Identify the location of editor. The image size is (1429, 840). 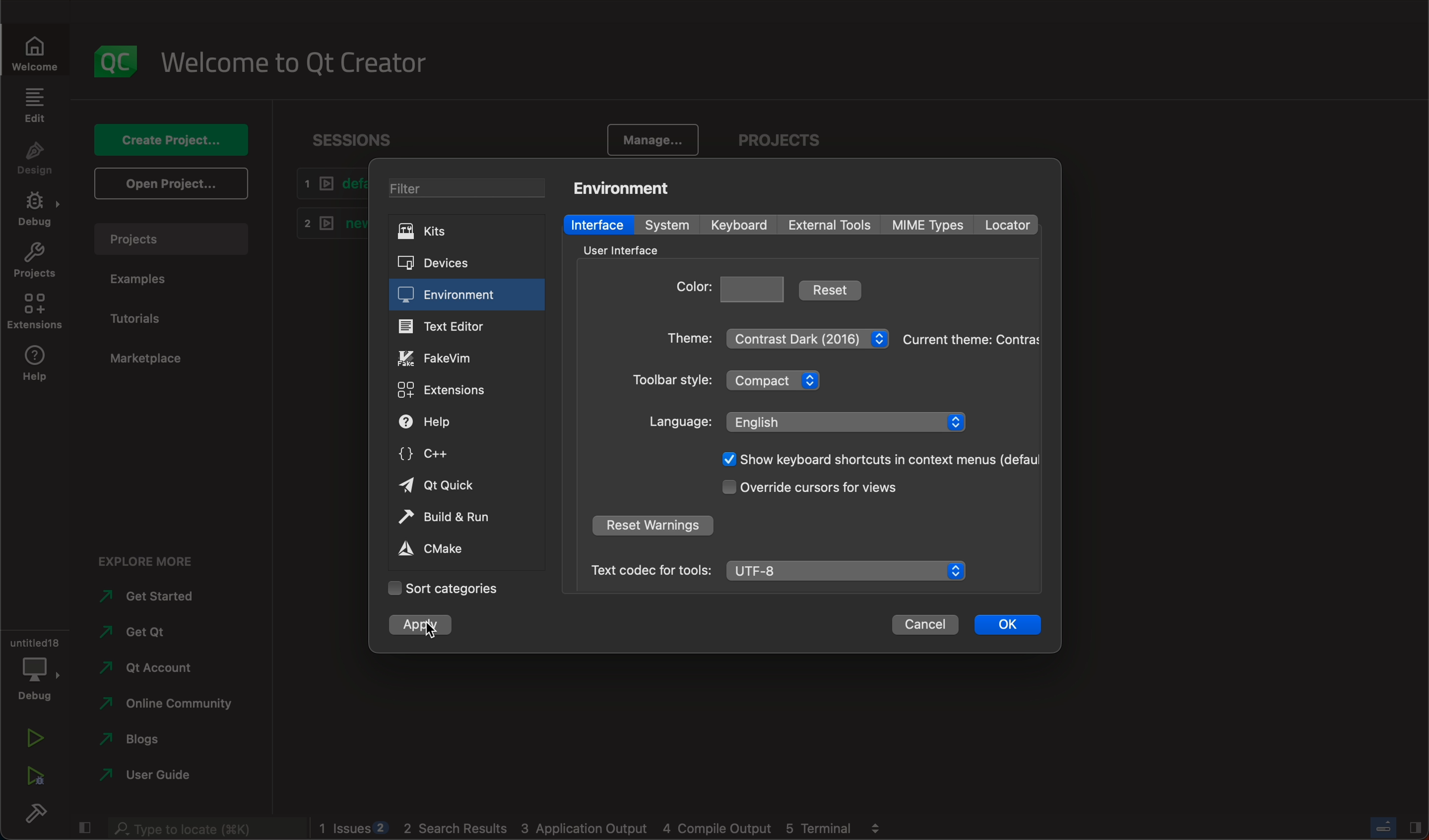
(449, 328).